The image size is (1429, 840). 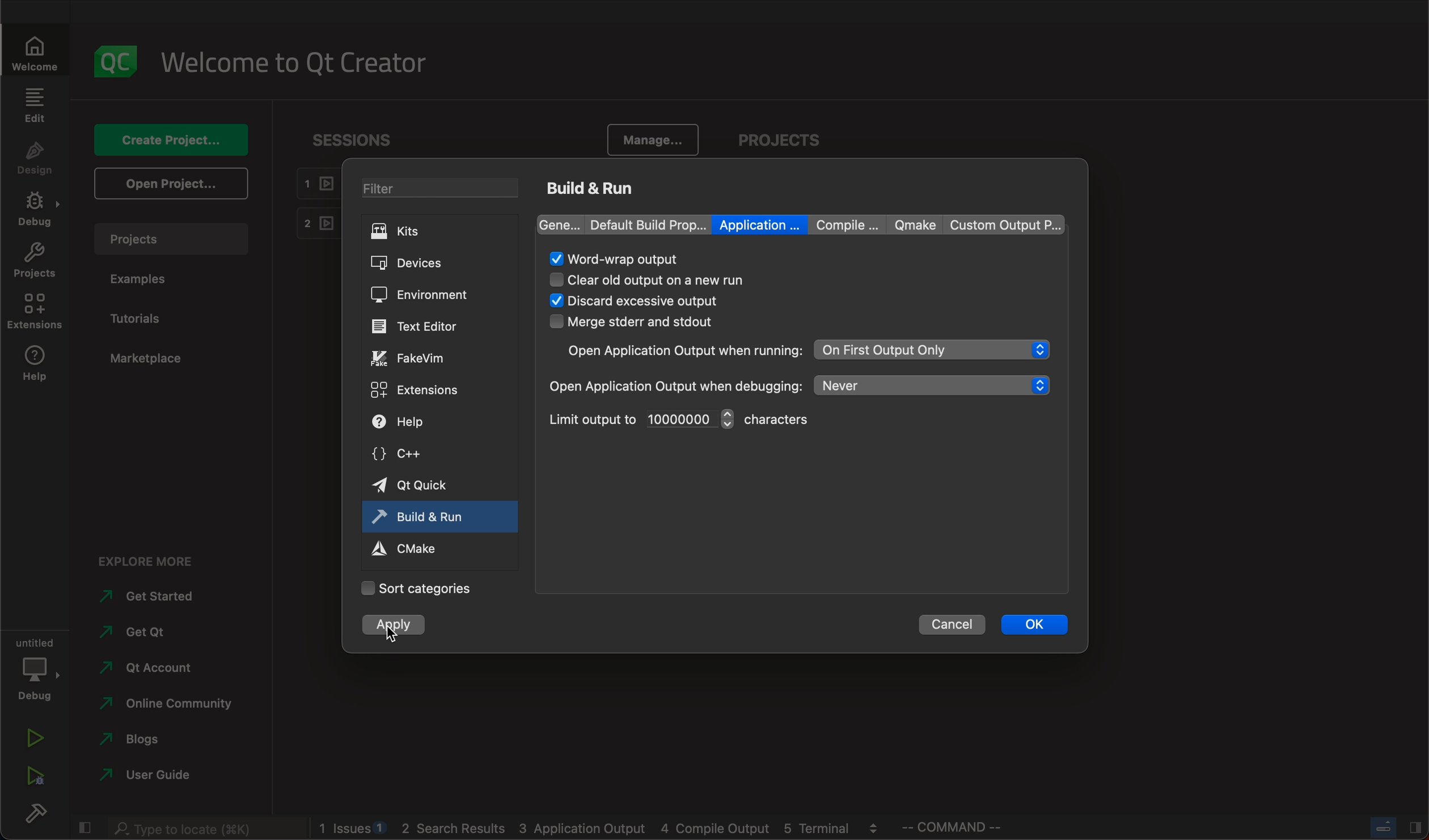 I want to click on extensions, so click(x=428, y=389).